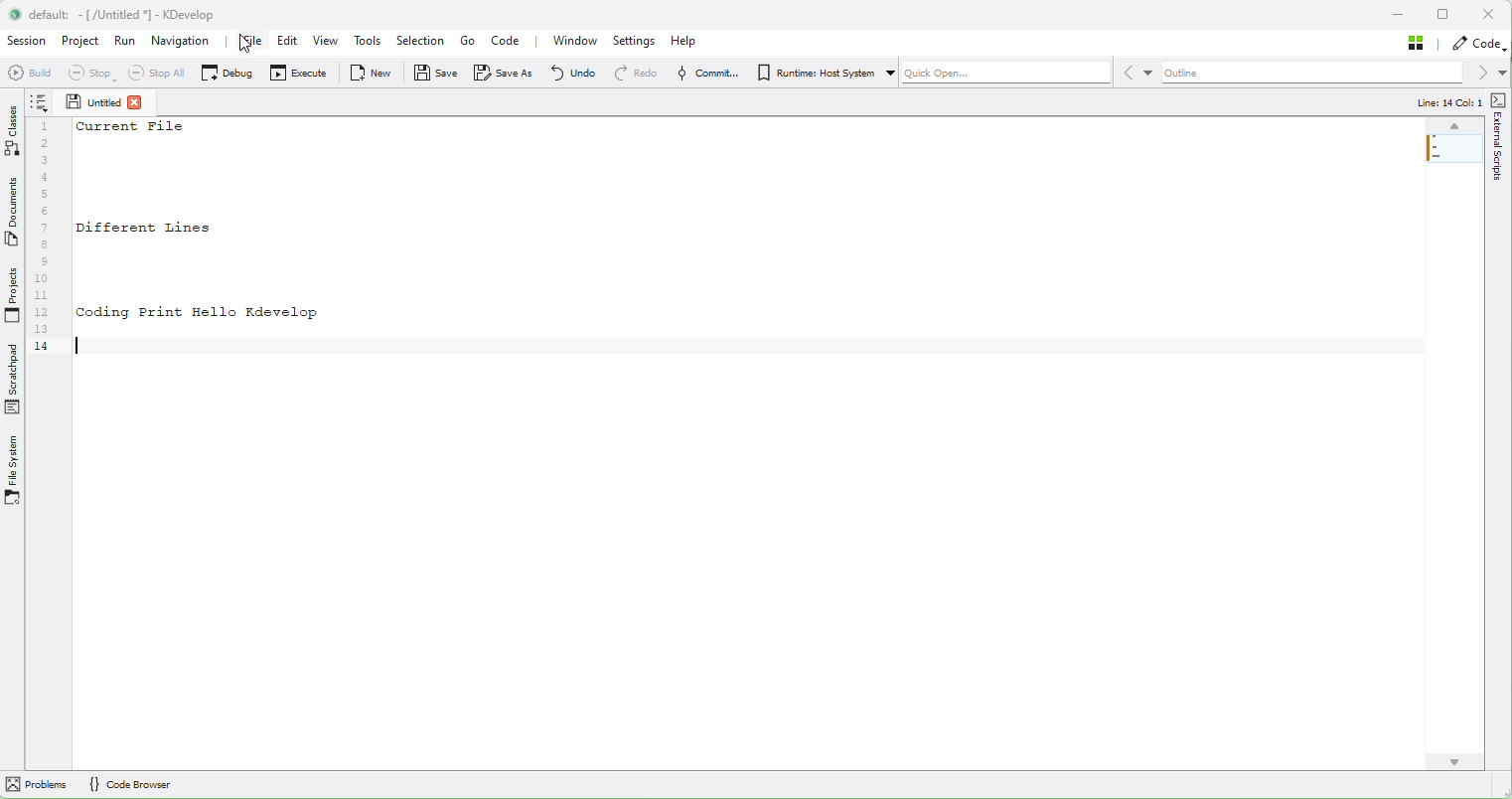 The width and height of the screenshot is (1512, 799). Describe the element at coordinates (36, 783) in the screenshot. I see `problem` at that location.